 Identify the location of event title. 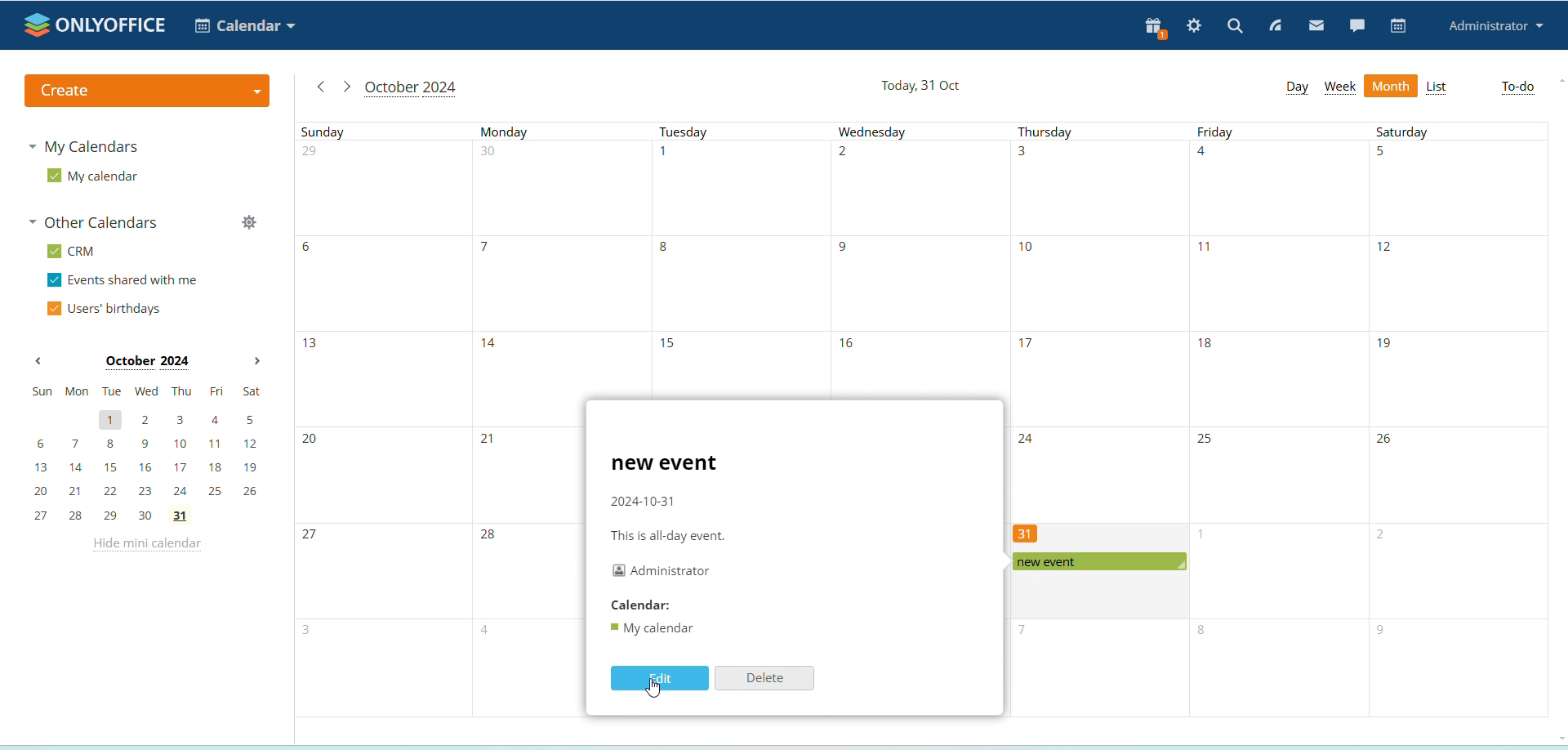
(665, 464).